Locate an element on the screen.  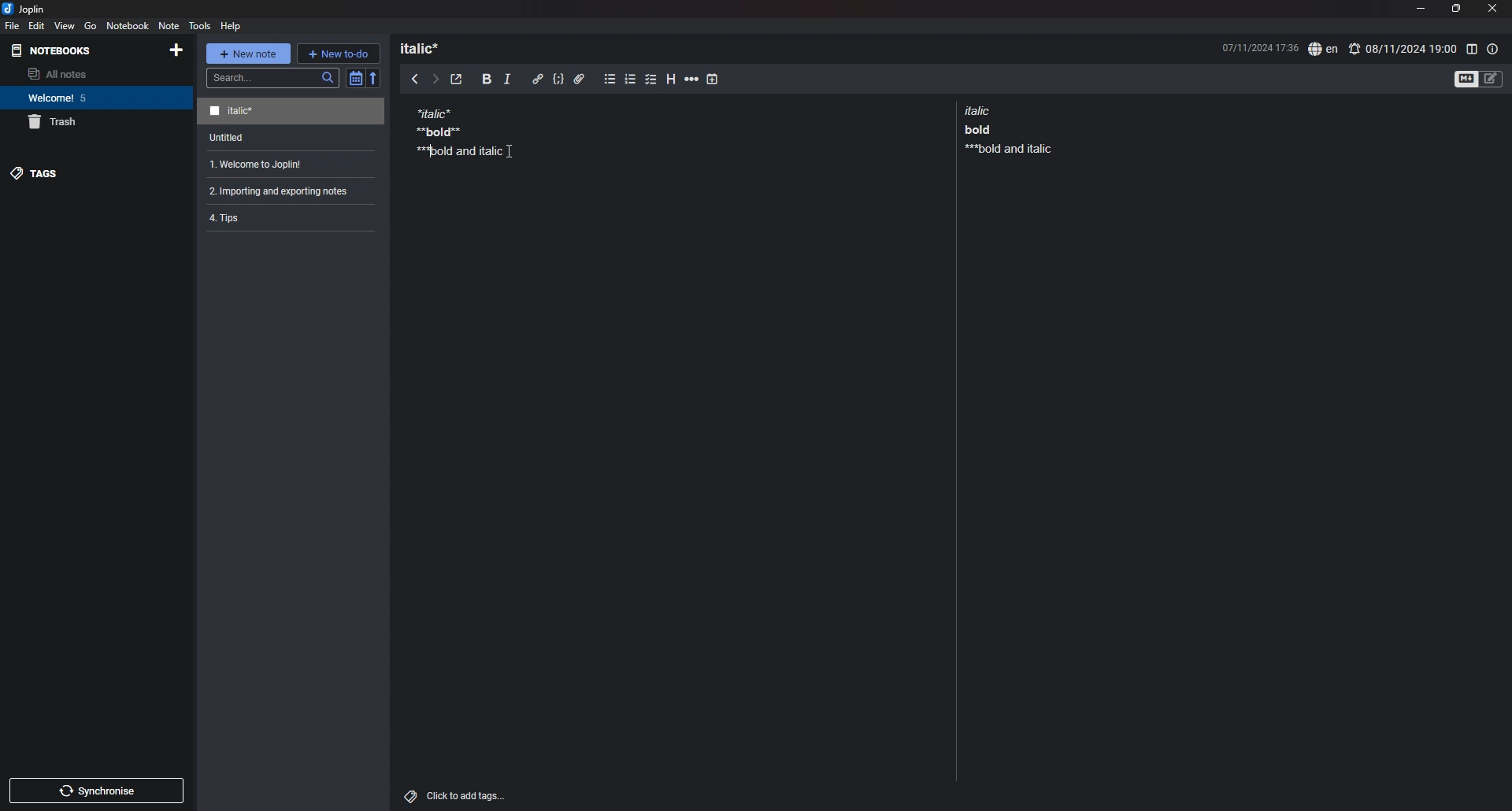
set alarm is located at coordinates (1403, 48).